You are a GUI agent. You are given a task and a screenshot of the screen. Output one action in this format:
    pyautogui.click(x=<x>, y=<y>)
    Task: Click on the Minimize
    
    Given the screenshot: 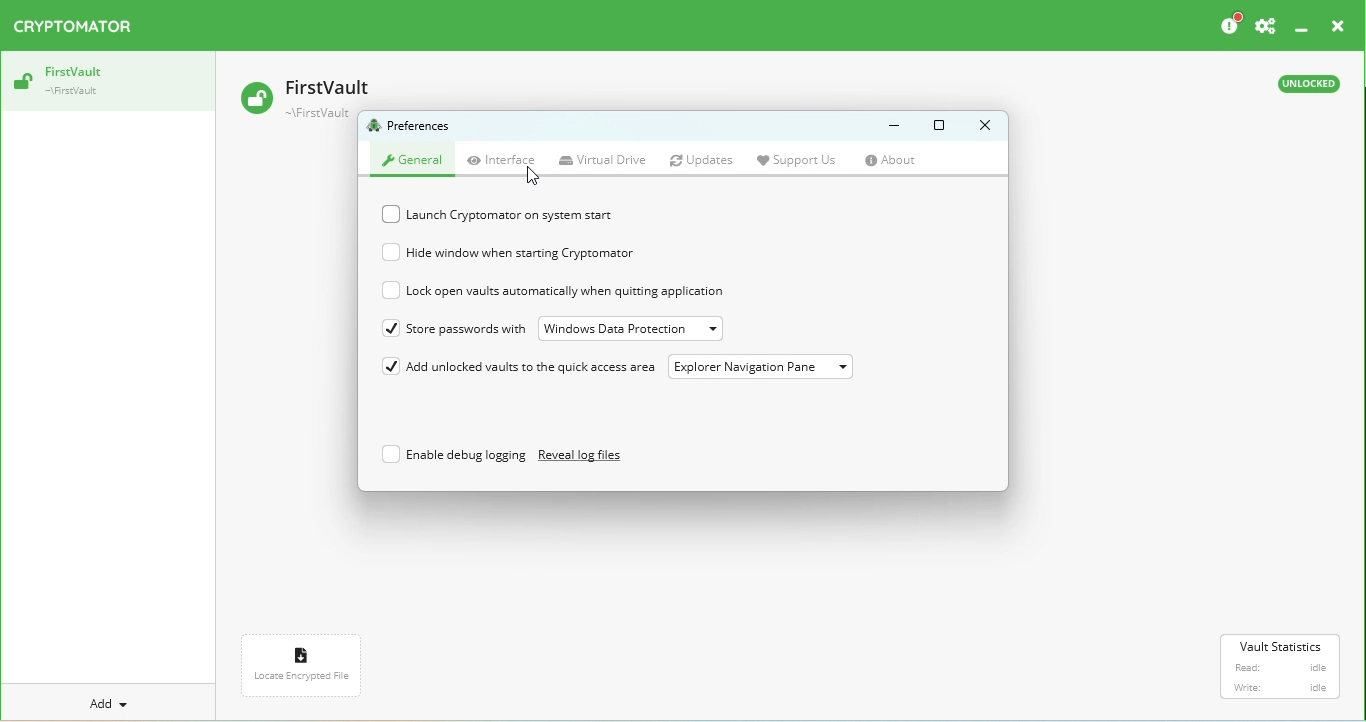 What is the action you would take?
    pyautogui.click(x=1303, y=27)
    